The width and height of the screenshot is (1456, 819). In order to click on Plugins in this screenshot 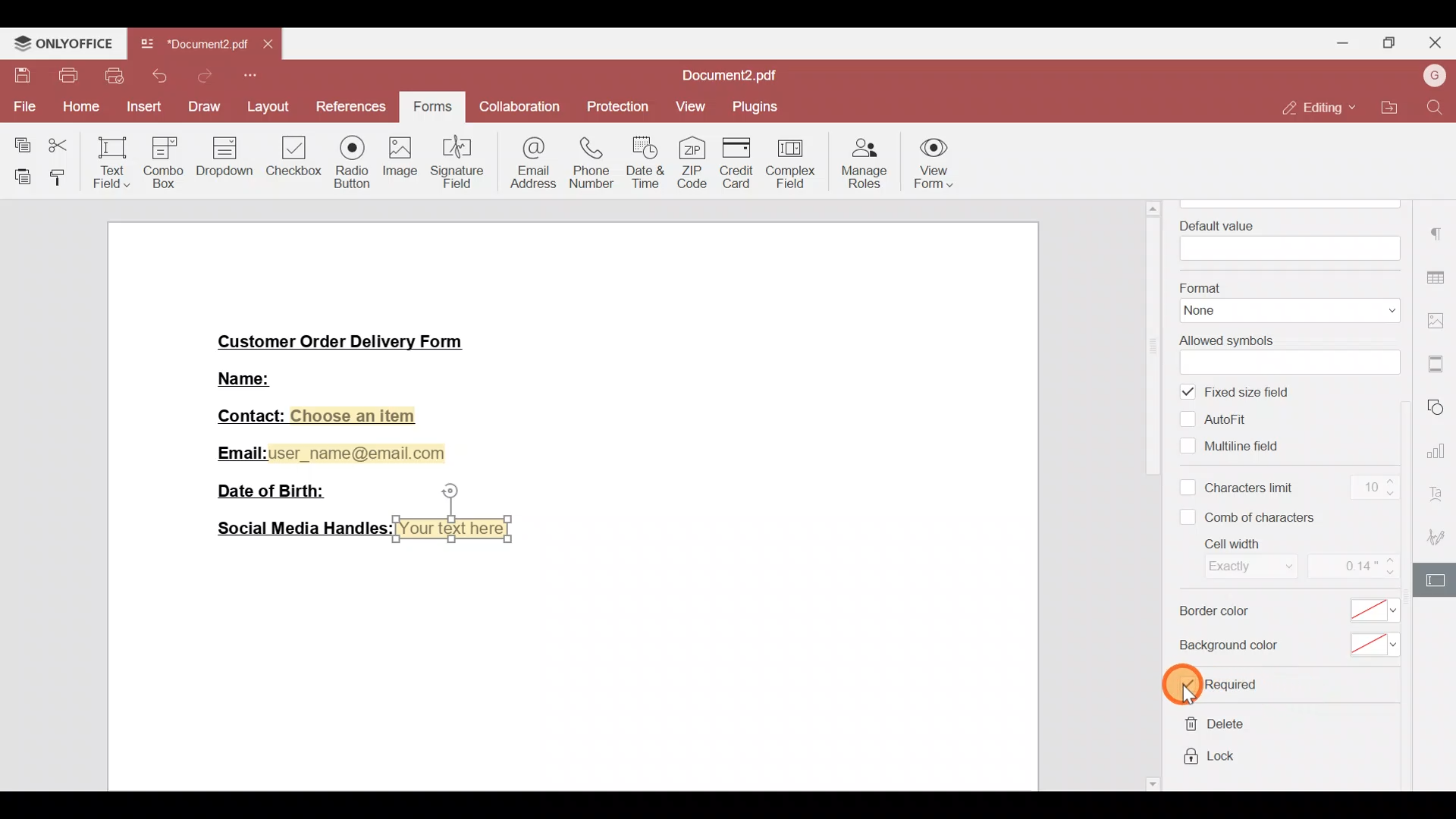, I will do `click(756, 107)`.